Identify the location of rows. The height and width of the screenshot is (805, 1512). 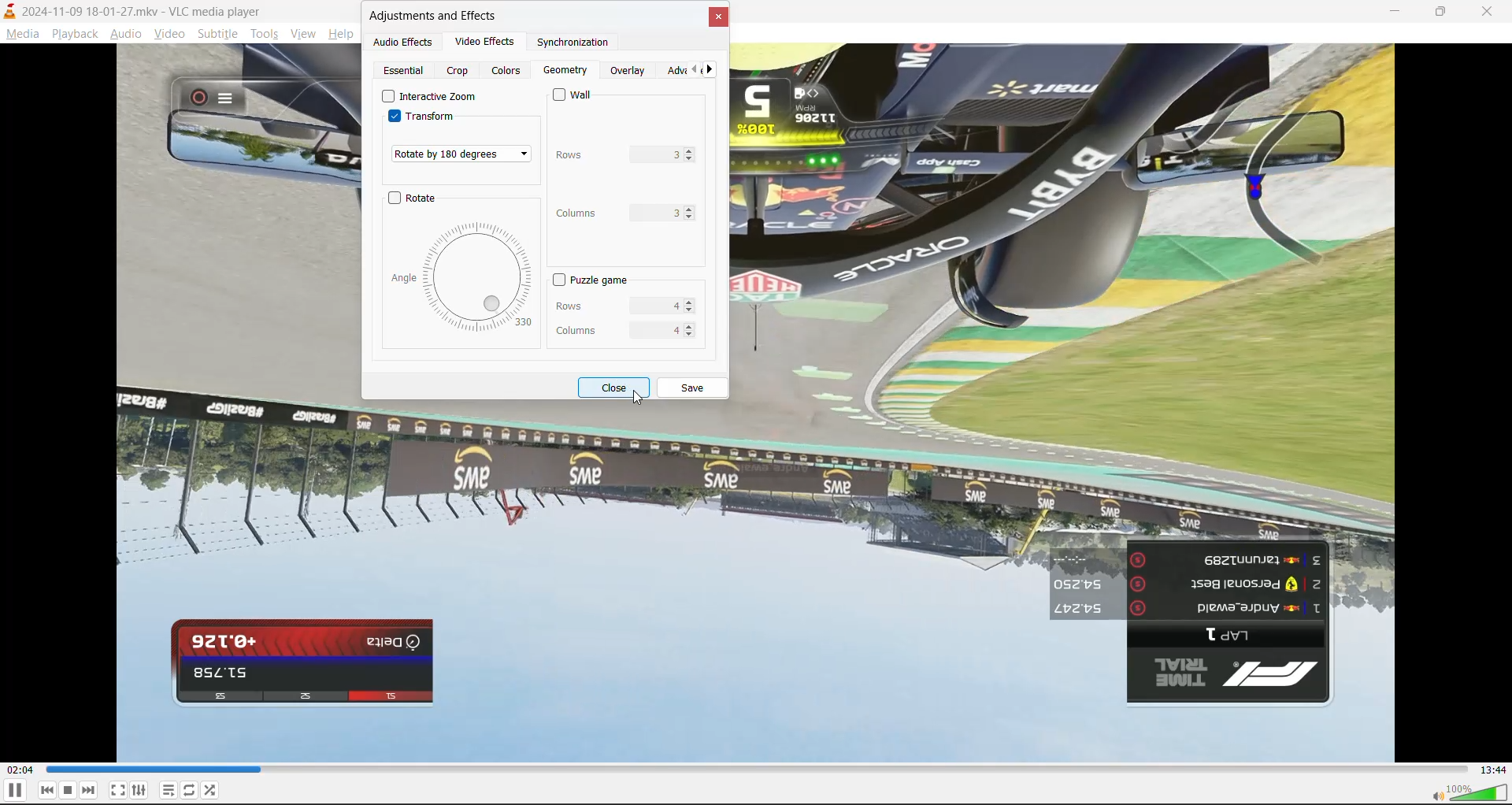
(609, 303).